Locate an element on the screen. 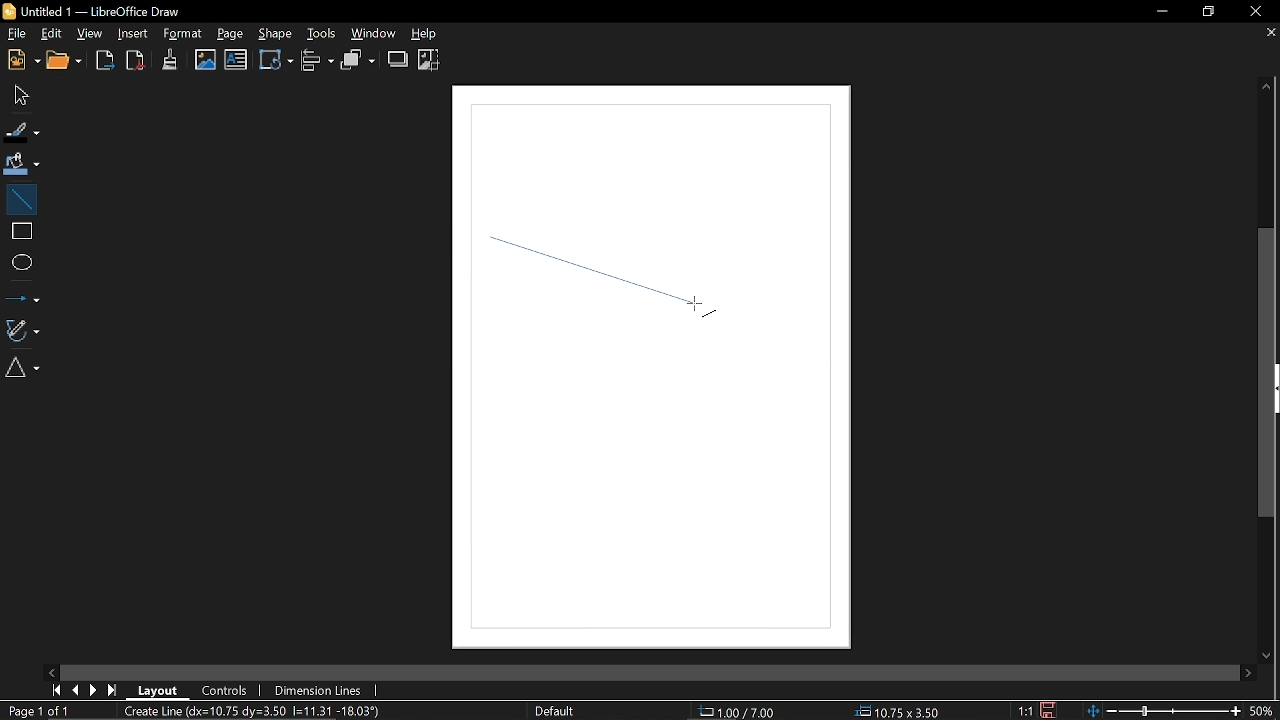 Image resolution: width=1280 pixels, height=720 pixels. Export to pdf is located at coordinates (134, 60).